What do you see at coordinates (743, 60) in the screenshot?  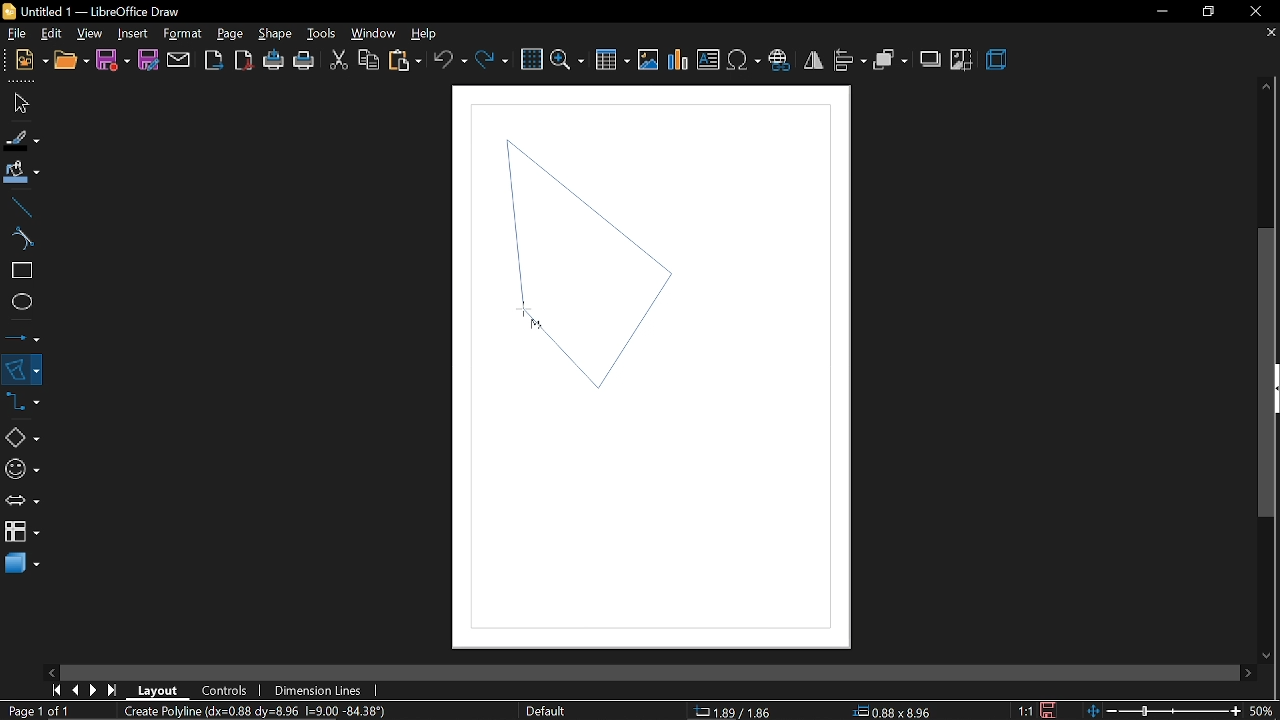 I see `insert symbol` at bounding box center [743, 60].